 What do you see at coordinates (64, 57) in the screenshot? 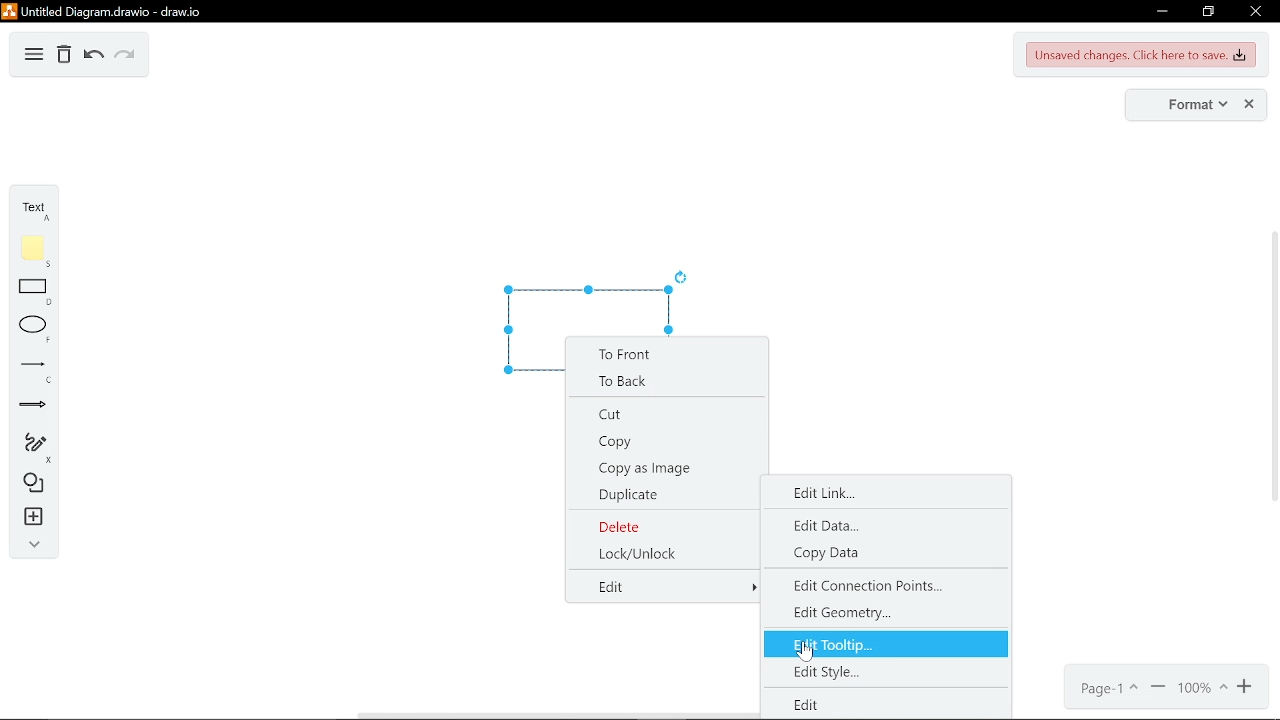
I see `delete` at bounding box center [64, 57].